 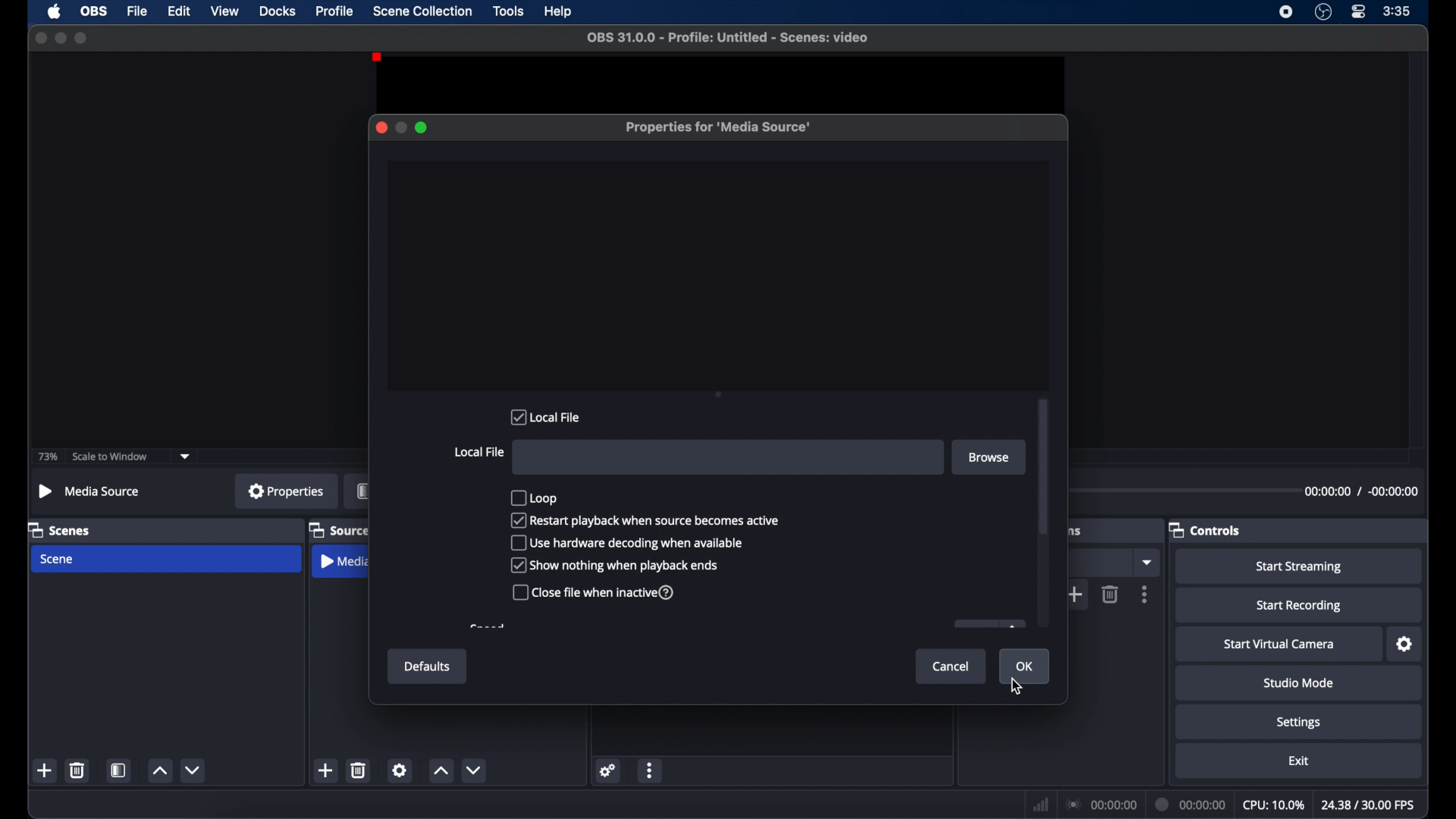 What do you see at coordinates (651, 770) in the screenshot?
I see `more options` at bounding box center [651, 770].